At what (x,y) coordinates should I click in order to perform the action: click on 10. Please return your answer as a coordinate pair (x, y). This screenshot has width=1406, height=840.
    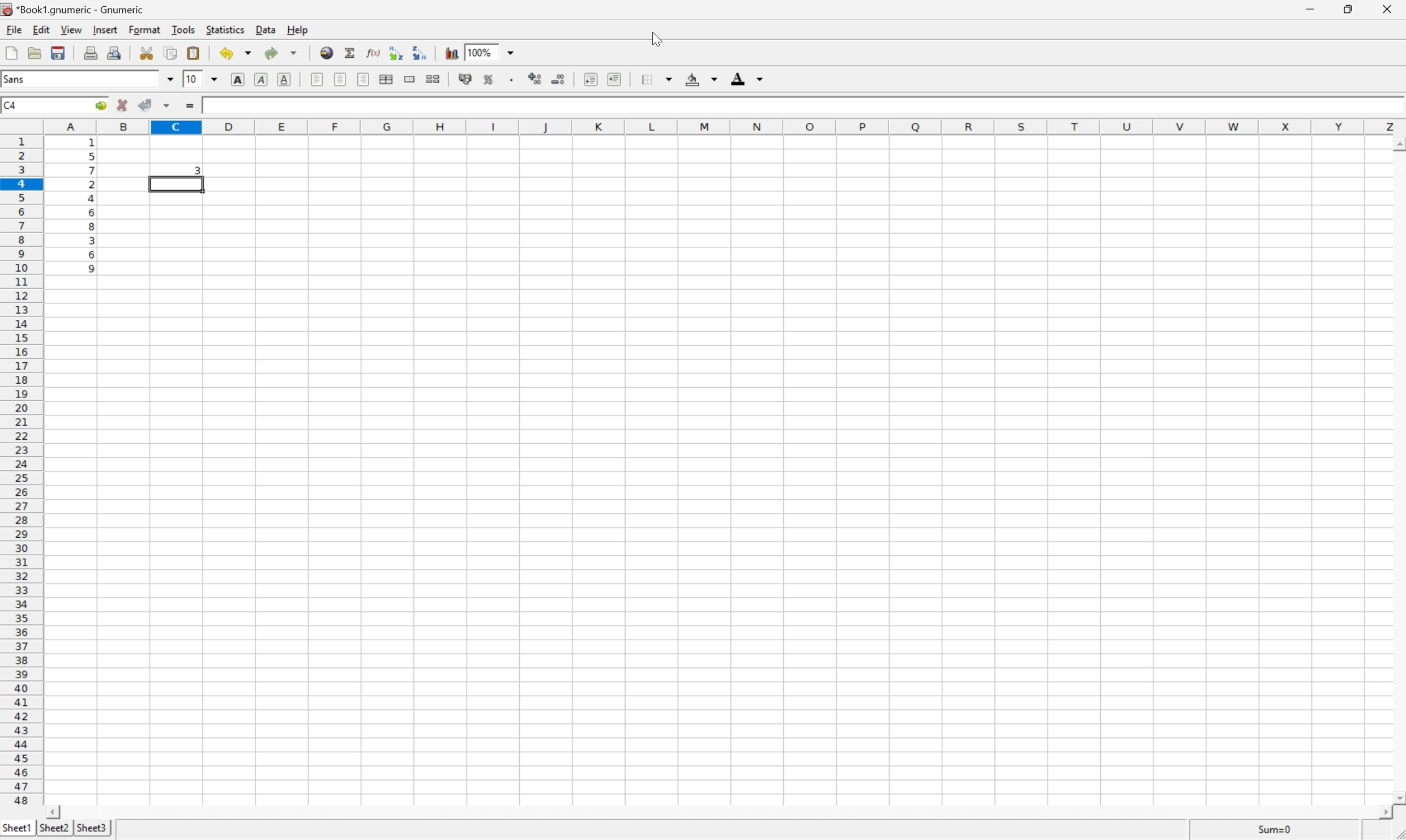
    Looking at the image, I should click on (192, 79).